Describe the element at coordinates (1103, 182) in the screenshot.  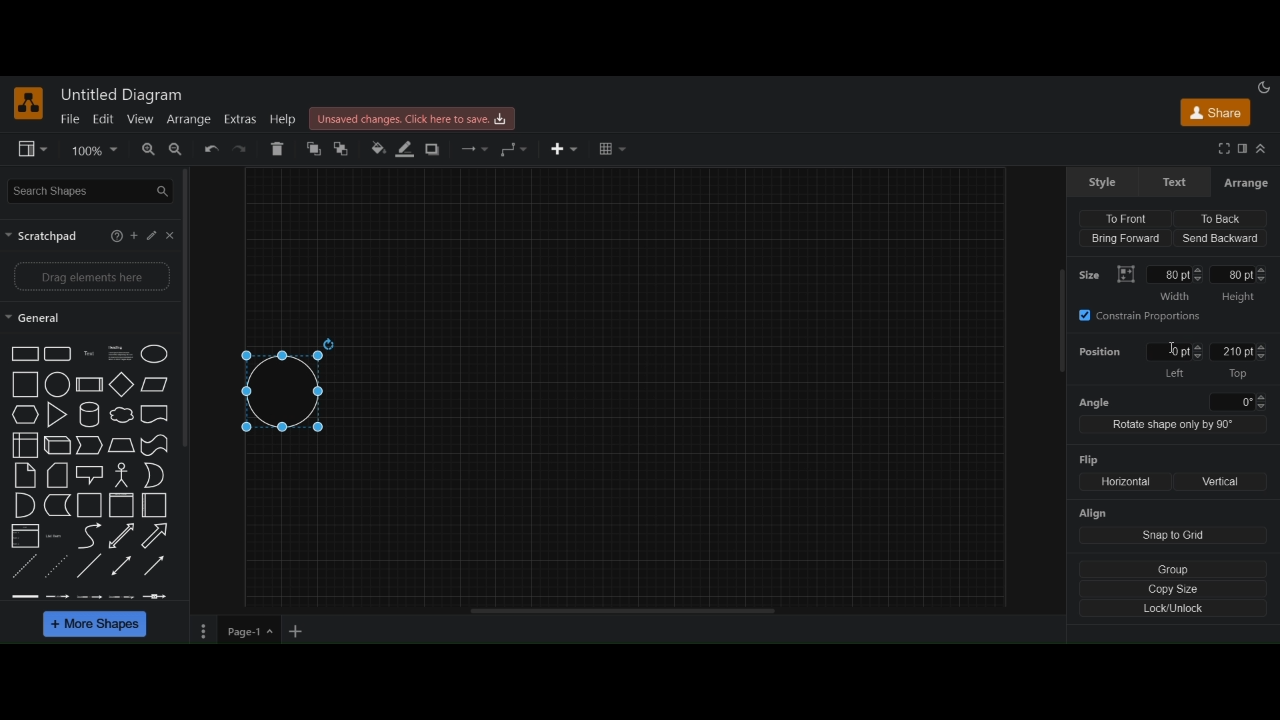
I see `style` at that location.